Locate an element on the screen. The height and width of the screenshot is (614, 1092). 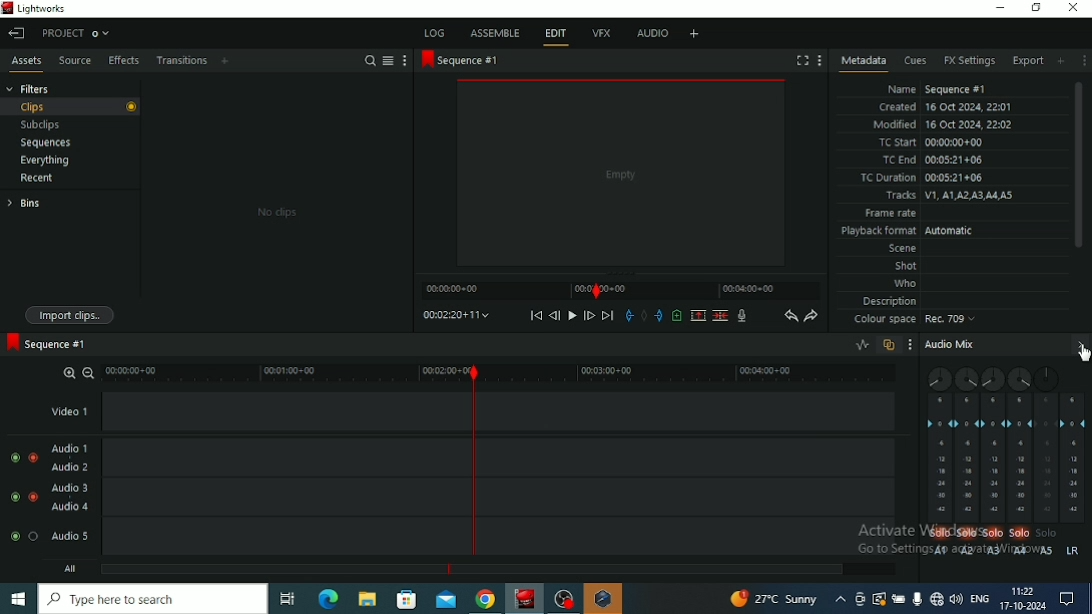
Cues is located at coordinates (914, 61).